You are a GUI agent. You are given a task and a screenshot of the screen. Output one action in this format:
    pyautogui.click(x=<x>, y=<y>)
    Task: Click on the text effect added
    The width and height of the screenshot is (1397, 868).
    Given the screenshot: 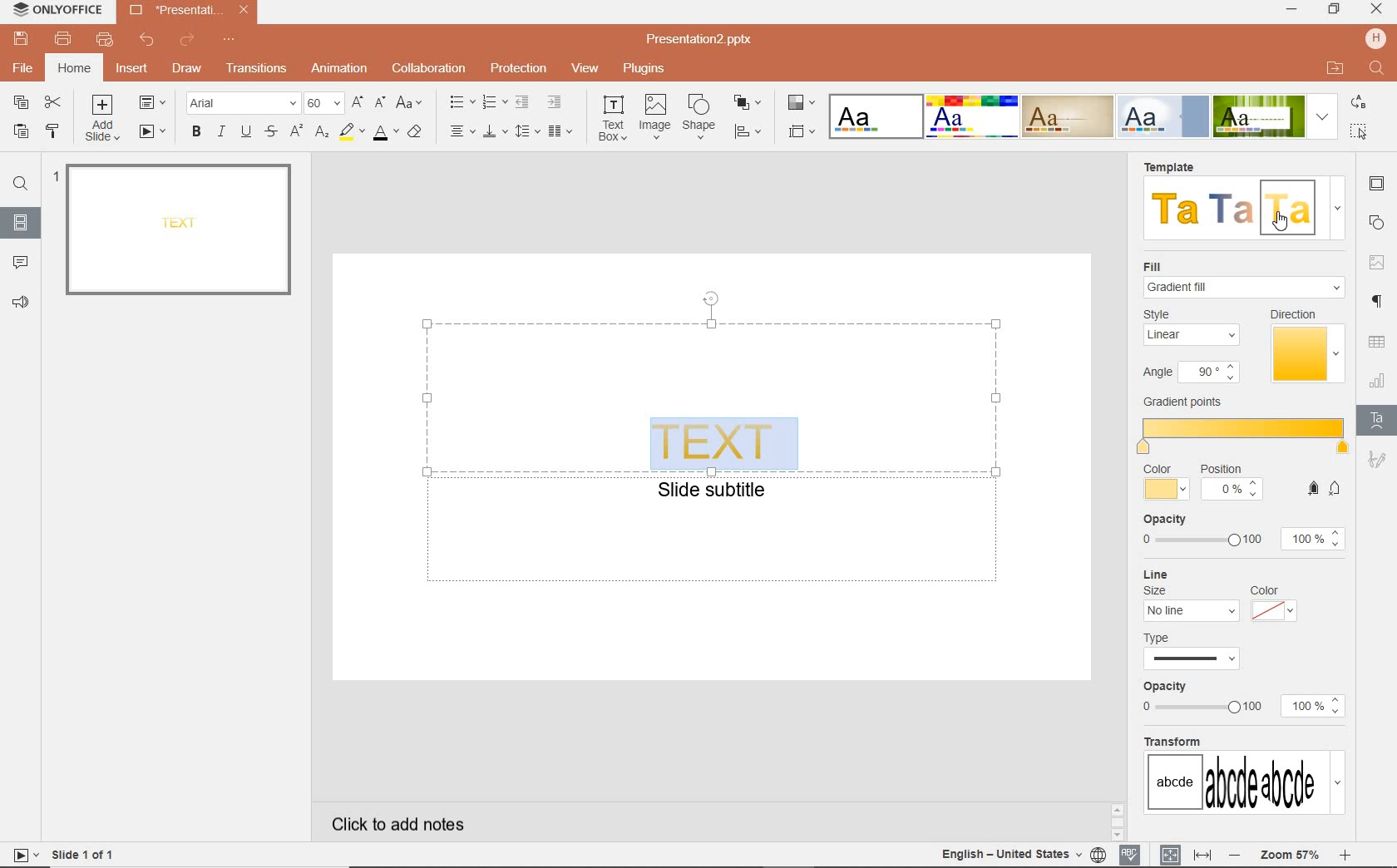 What is the action you would take?
    pyautogui.click(x=176, y=226)
    